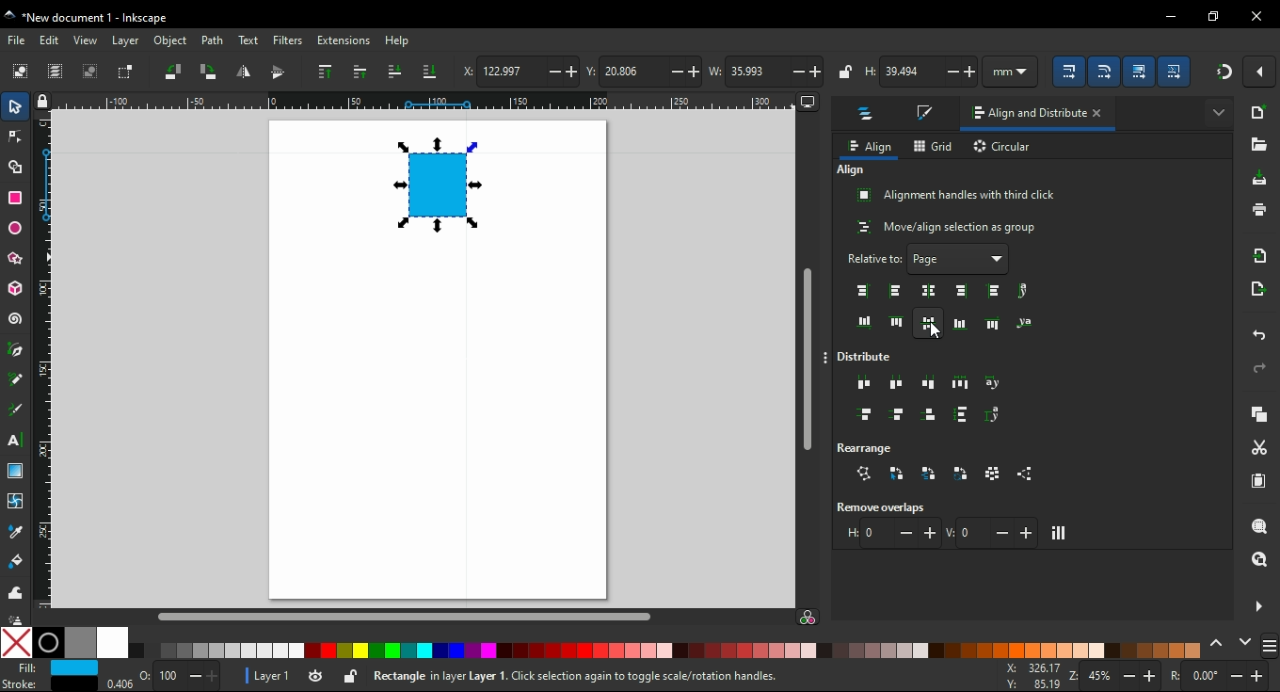  I want to click on next, so click(1245, 641).